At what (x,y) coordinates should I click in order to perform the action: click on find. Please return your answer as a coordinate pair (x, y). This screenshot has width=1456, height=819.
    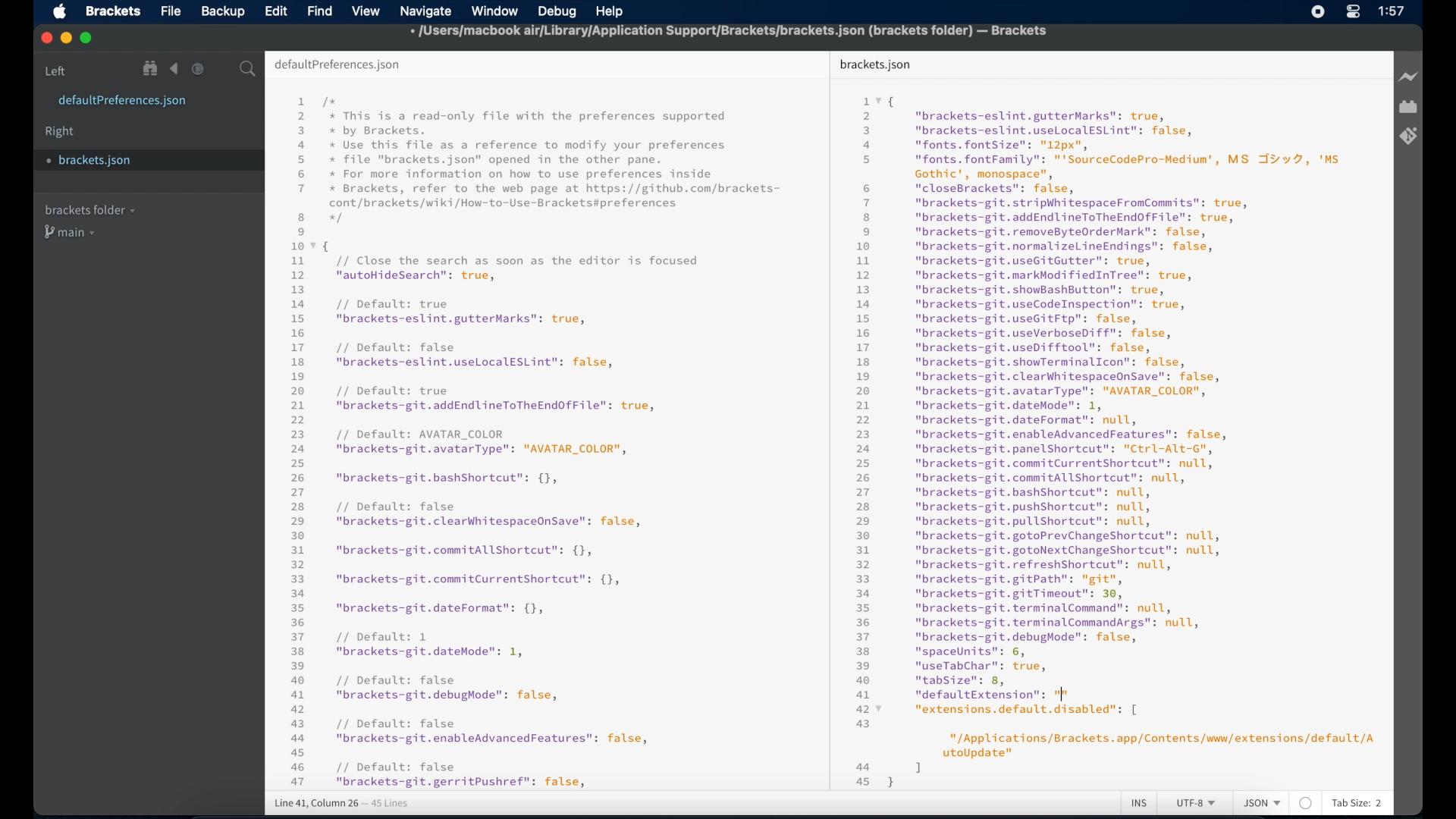
    Looking at the image, I should click on (320, 11).